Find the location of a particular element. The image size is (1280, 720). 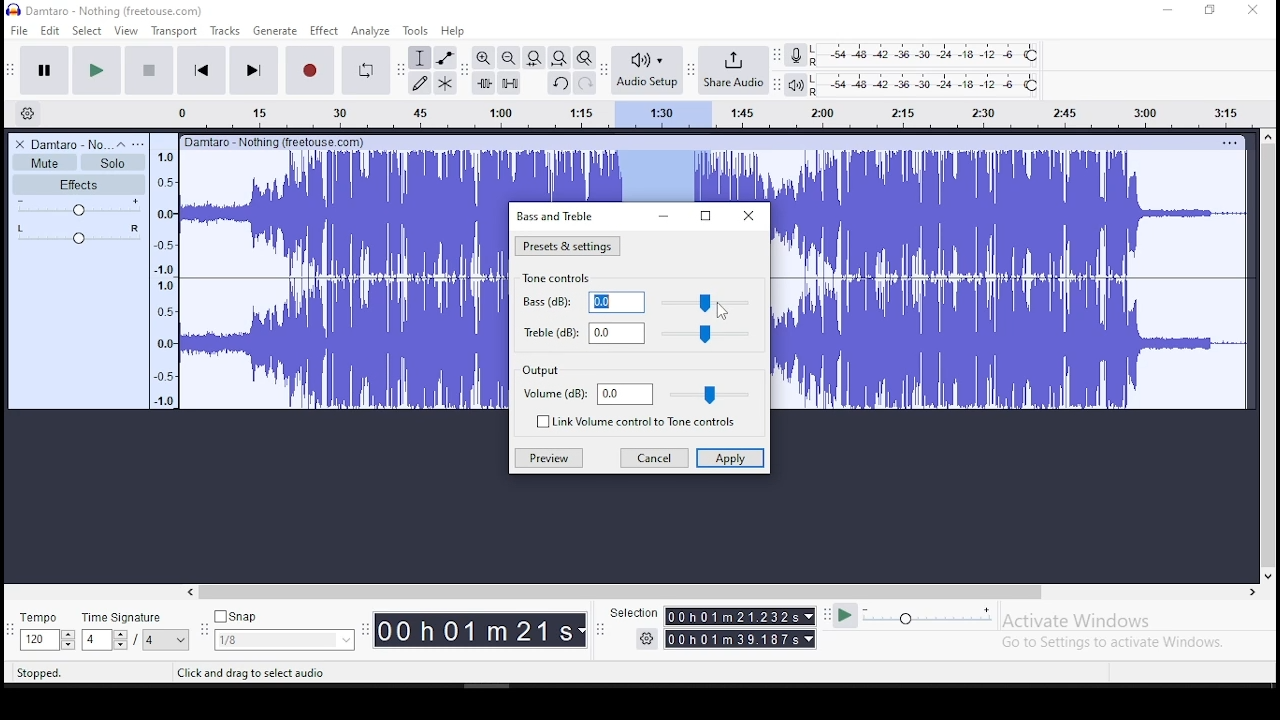

control is located at coordinates (711, 393).